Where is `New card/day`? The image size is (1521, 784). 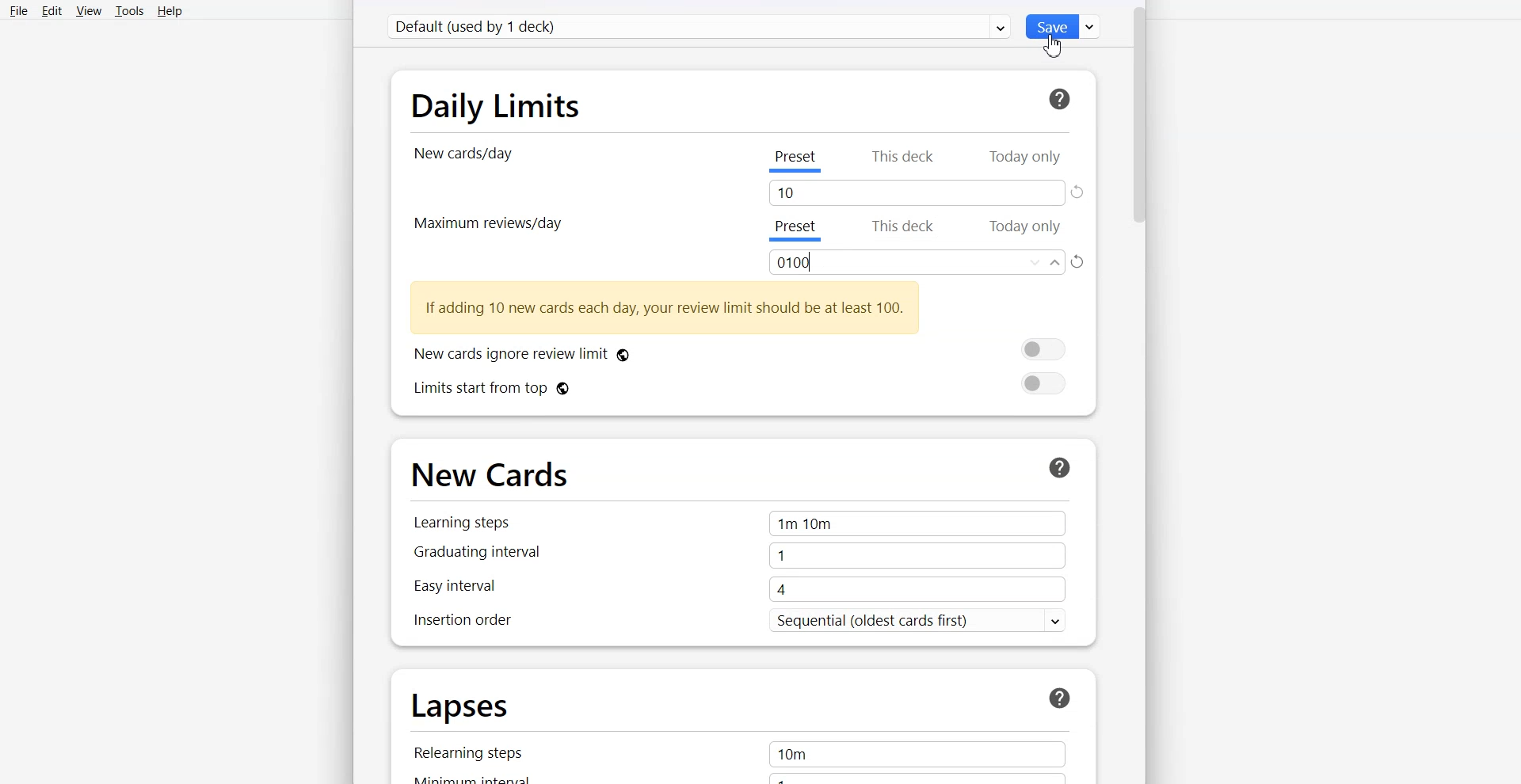 New card/day is located at coordinates (467, 154).